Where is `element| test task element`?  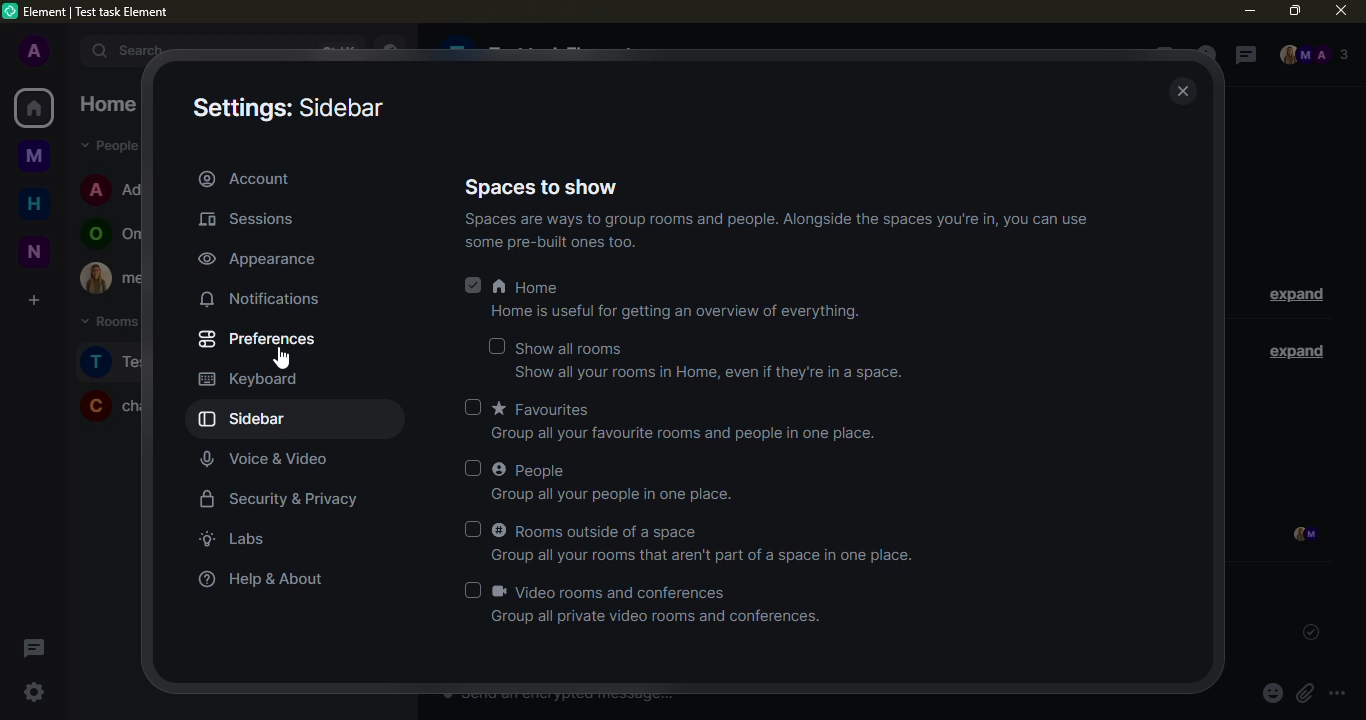
element| test task element is located at coordinates (104, 13).